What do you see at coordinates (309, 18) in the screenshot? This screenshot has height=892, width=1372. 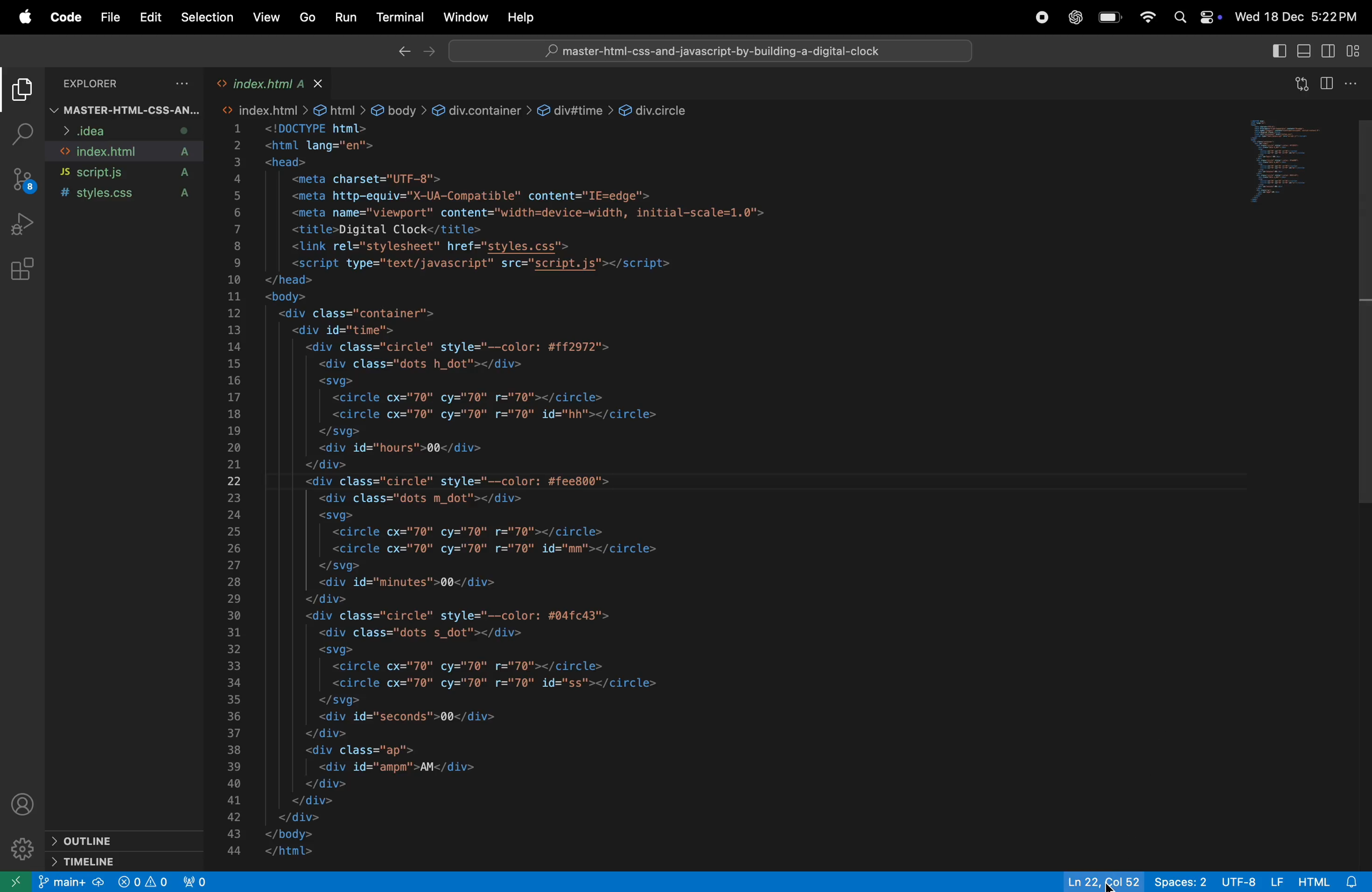 I see `go` at bounding box center [309, 18].